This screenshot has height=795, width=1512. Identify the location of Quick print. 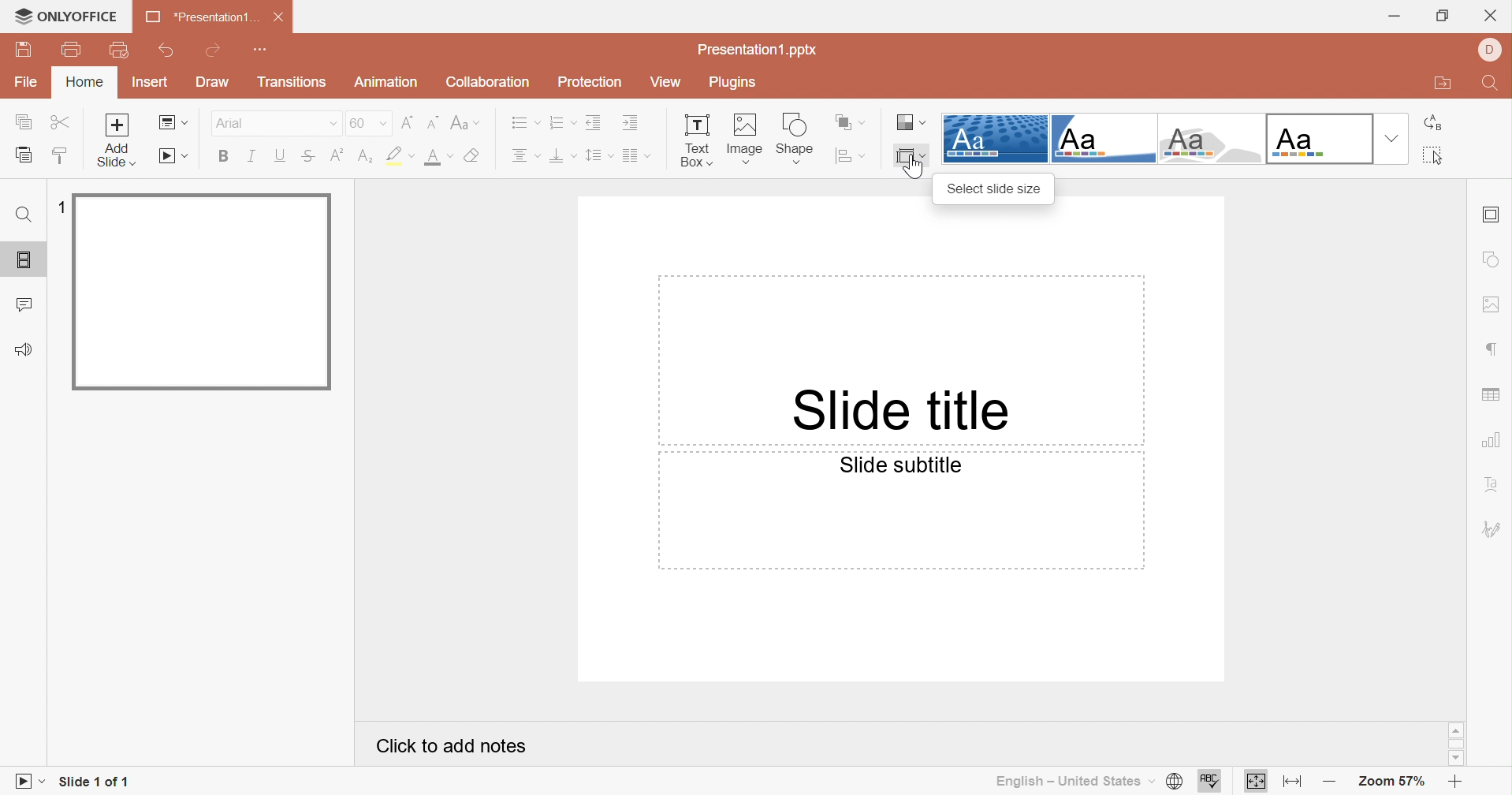
(119, 48).